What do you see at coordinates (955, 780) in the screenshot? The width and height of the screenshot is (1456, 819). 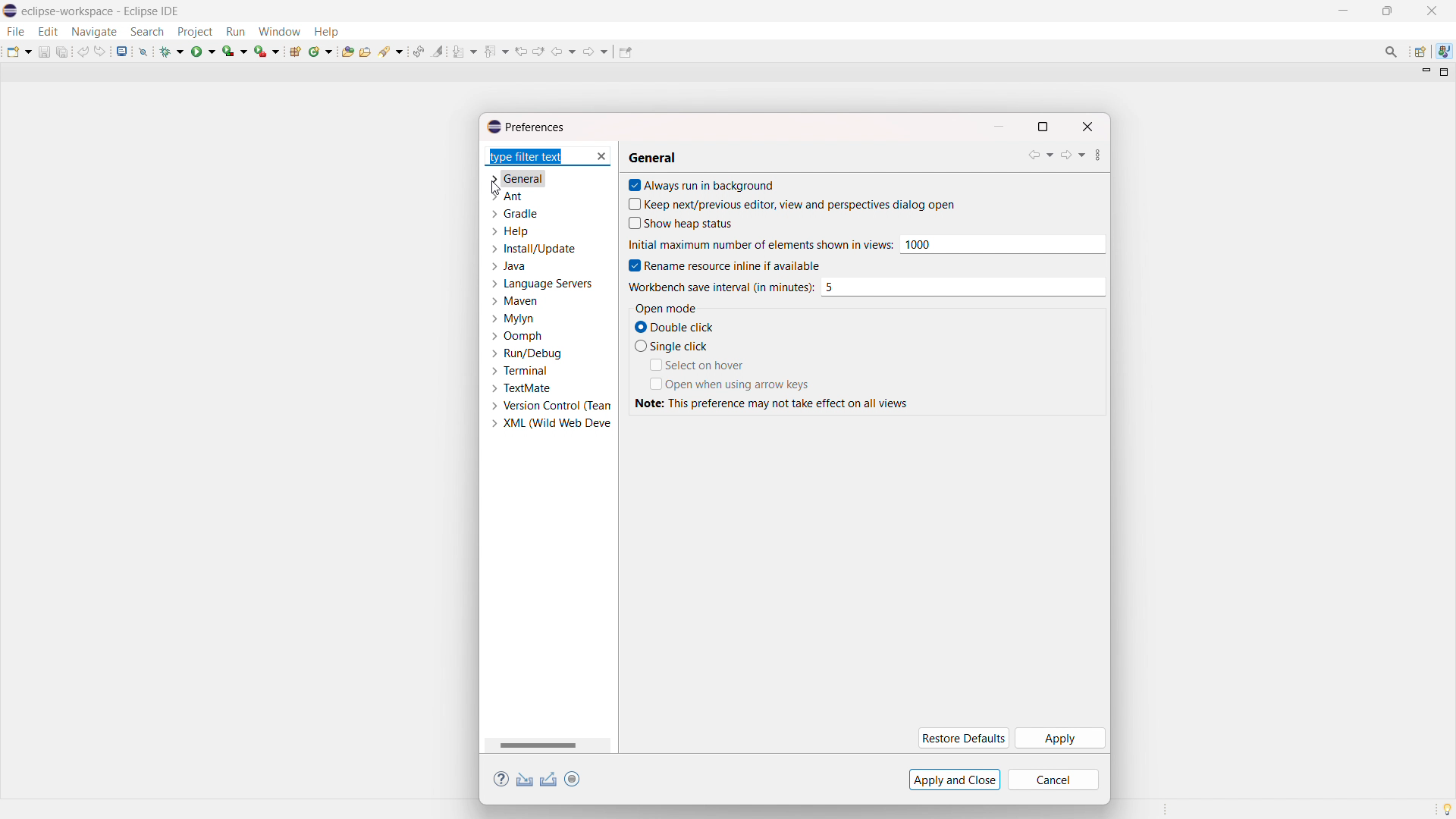 I see `apply and close` at bounding box center [955, 780].